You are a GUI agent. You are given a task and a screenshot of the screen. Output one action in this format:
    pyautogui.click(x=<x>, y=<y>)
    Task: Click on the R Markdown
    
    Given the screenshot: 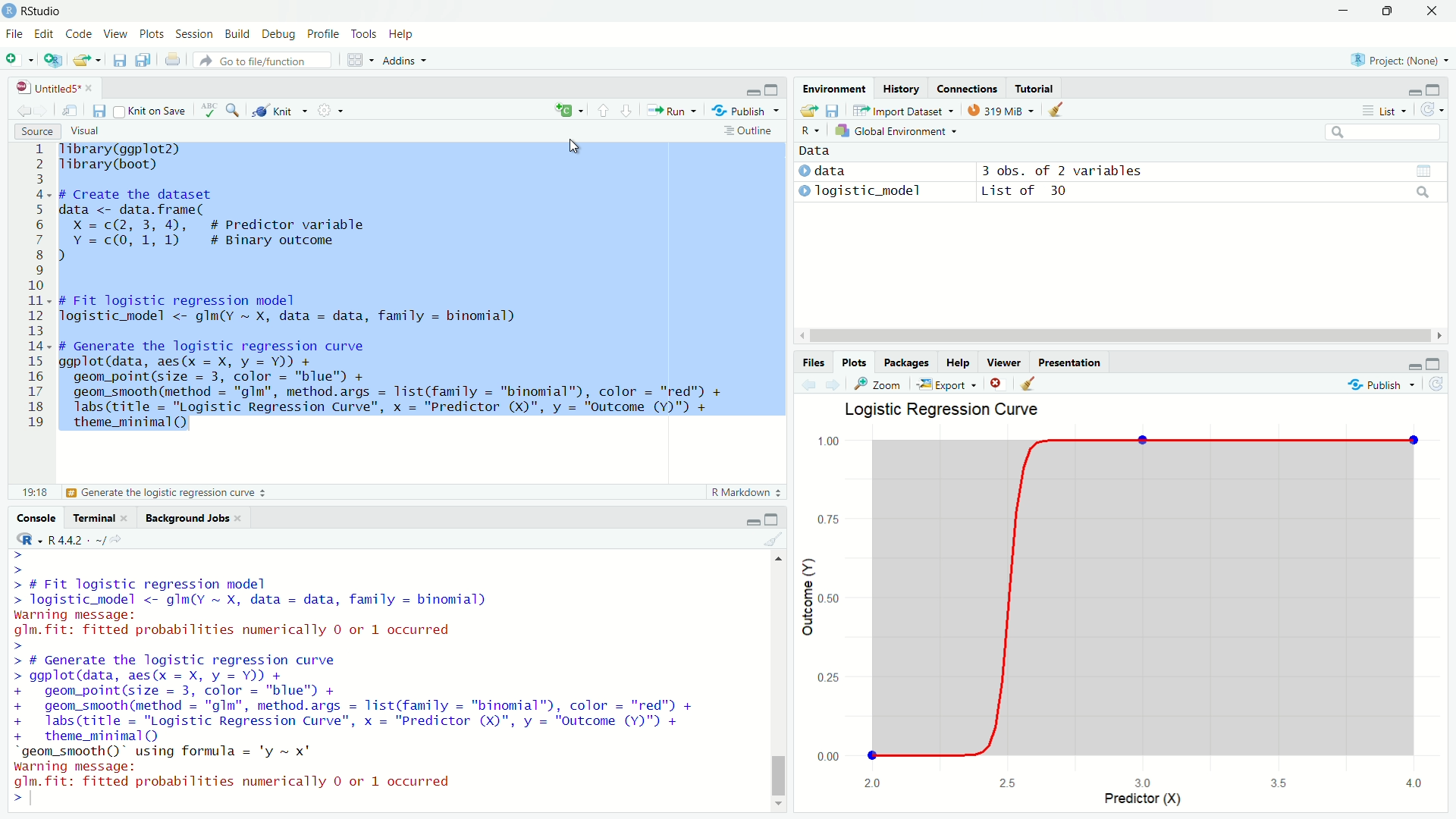 What is the action you would take?
    pyautogui.click(x=747, y=492)
    